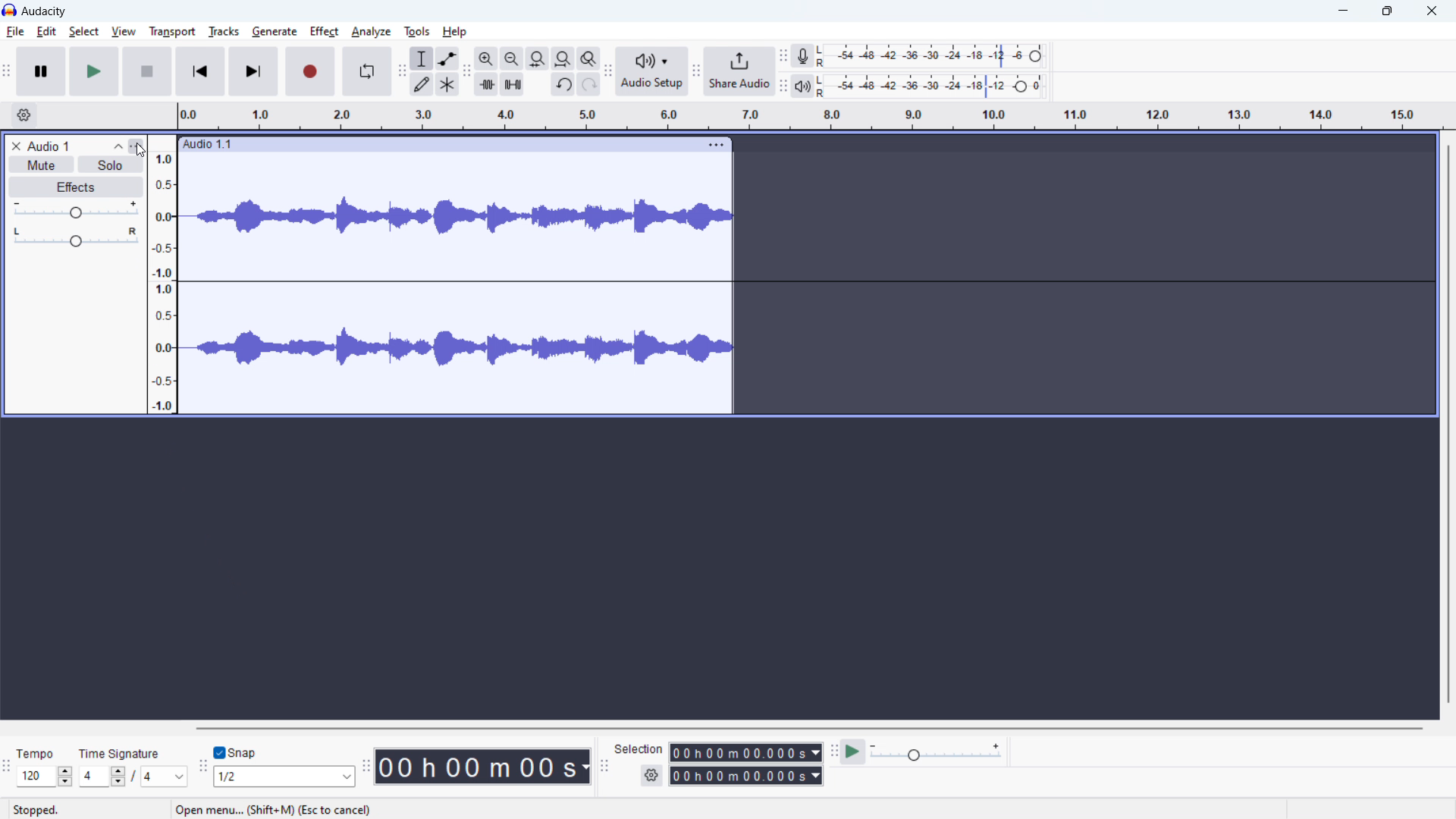 The height and width of the screenshot is (819, 1456). What do you see at coordinates (49, 146) in the screenshot?
I see `track title` at bounding box center [49, 146].